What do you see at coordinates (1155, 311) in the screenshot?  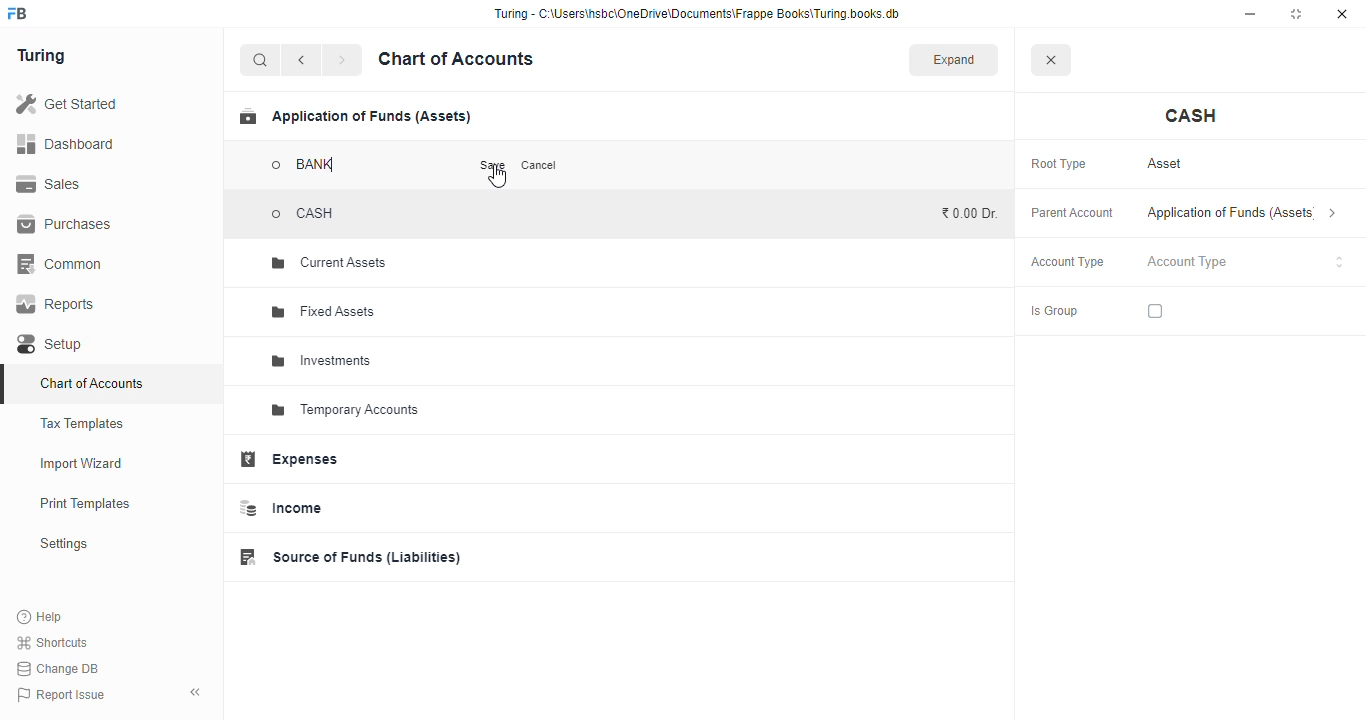 I see `checkbox` at bounding box center [1155, 311].